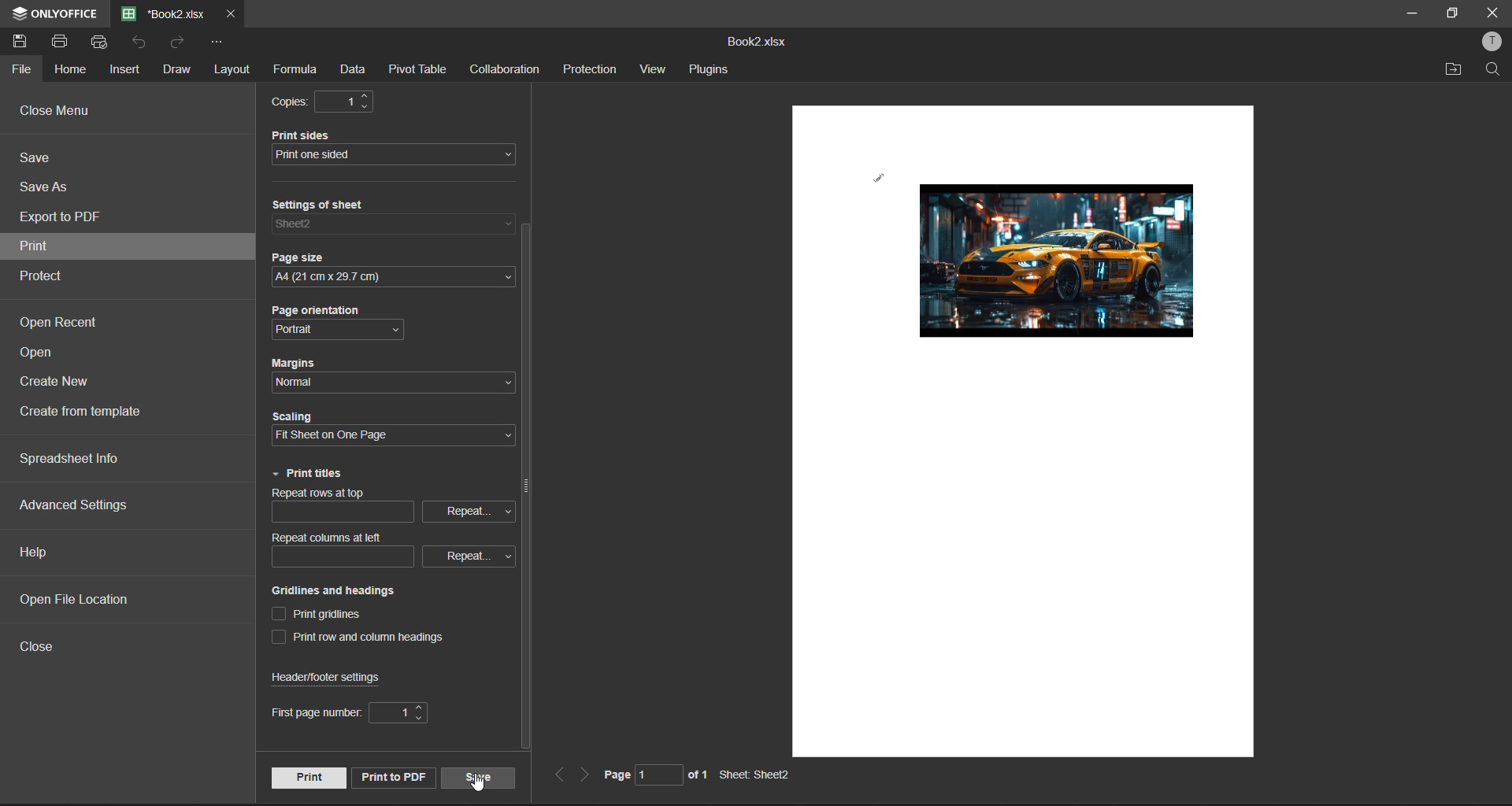 Image resolution: width=1512 pixels, height=806 pixels. I want to click on open location, so click(1455, 70).